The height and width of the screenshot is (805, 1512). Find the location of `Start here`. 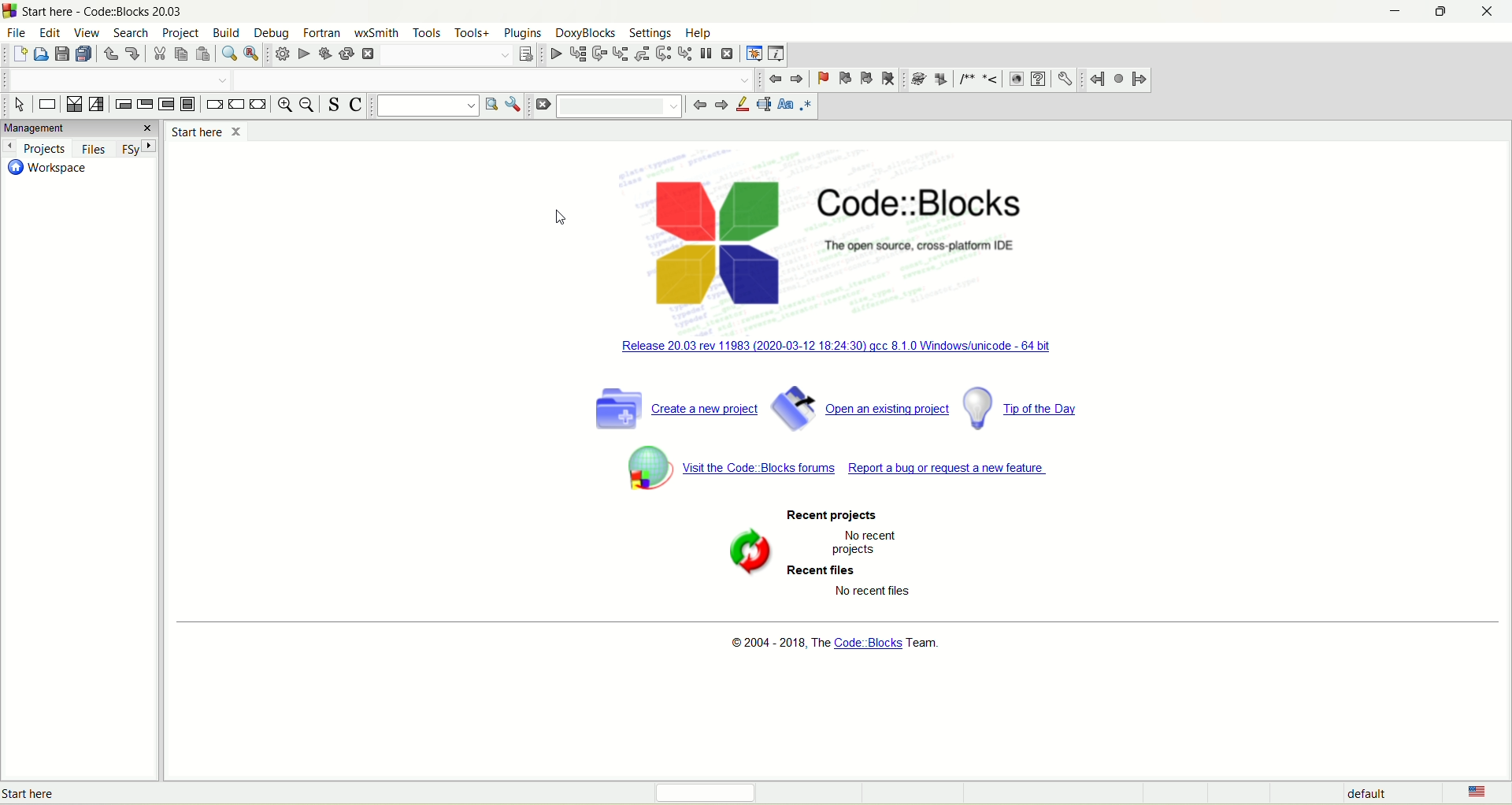

Start here is located at coordinates (210, 132).